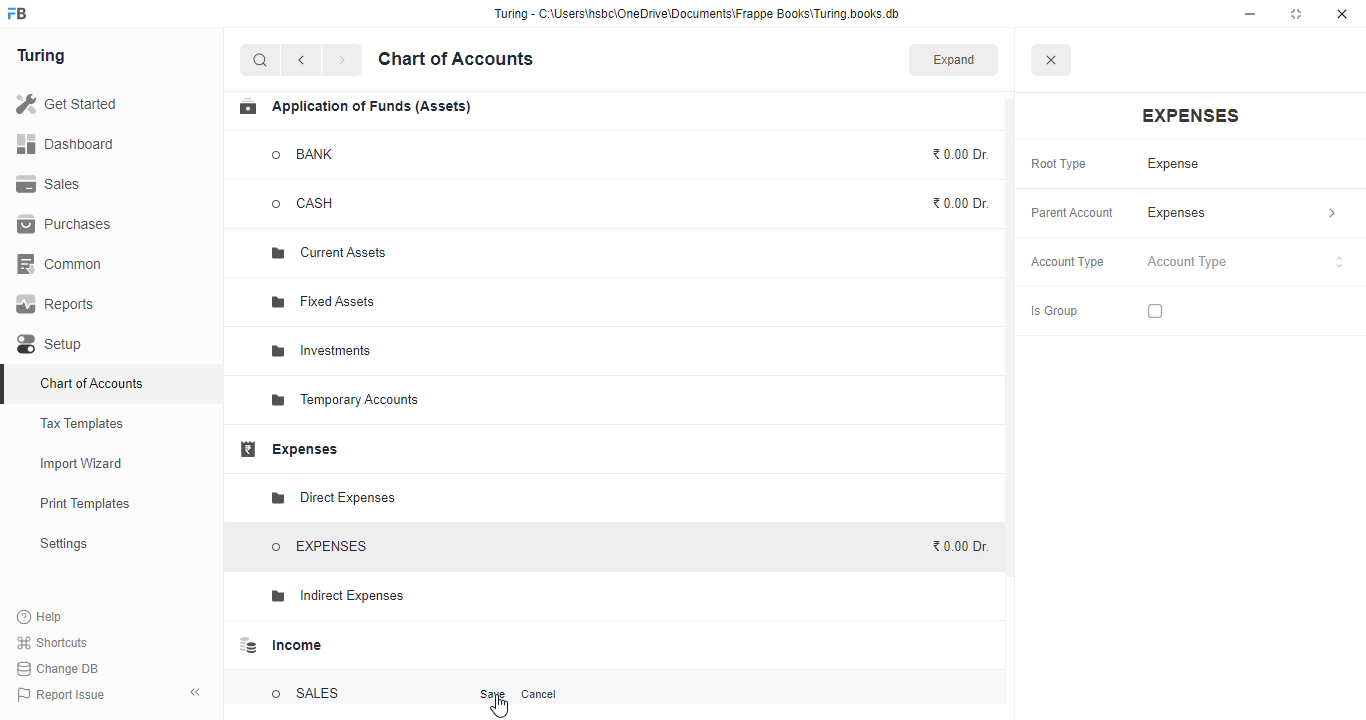 Image resolution: width=1366 pixels, height=720 pixels. I want to click on current assets, so click(329, 254).